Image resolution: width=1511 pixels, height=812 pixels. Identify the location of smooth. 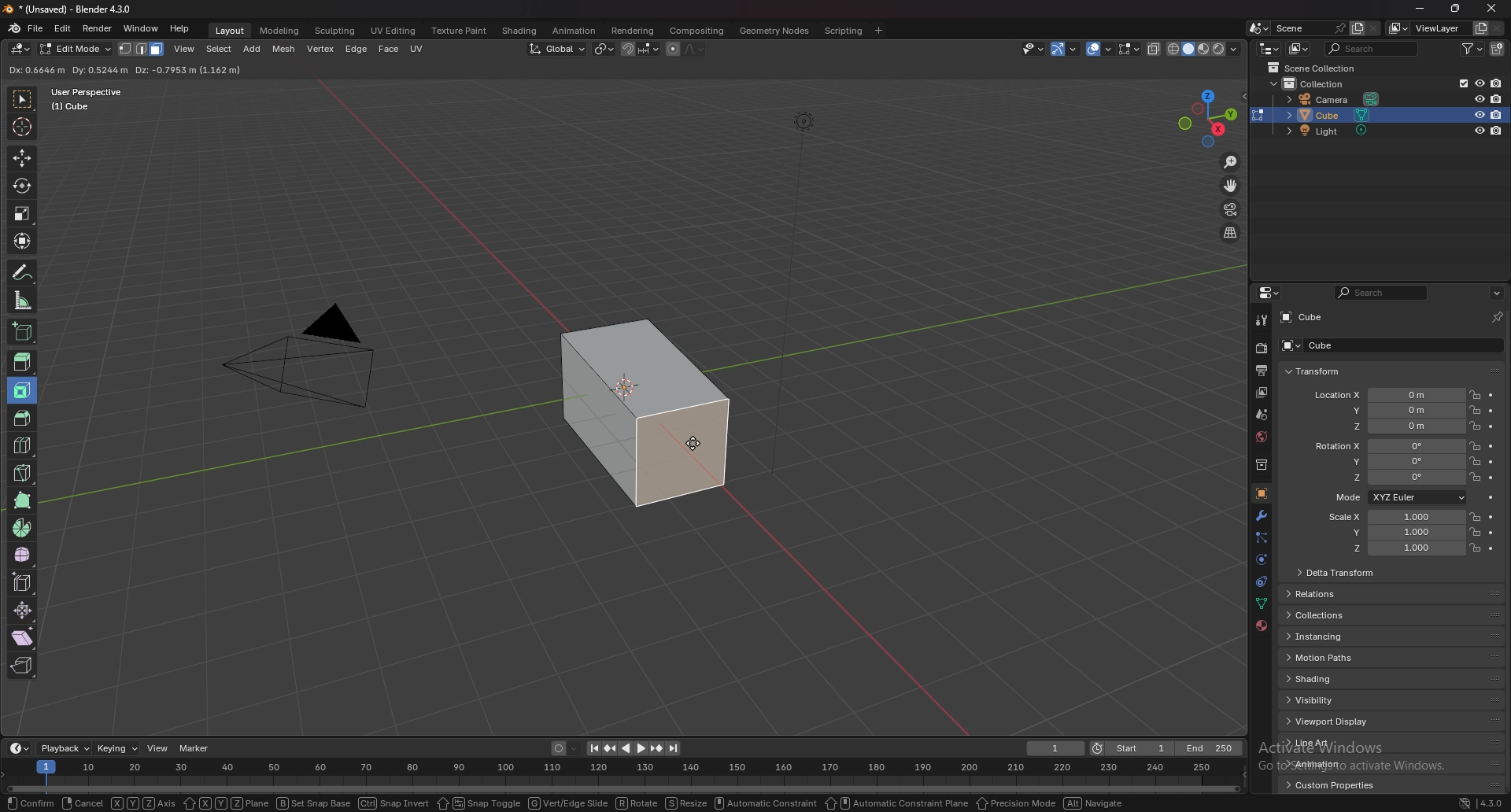
(24, 555).